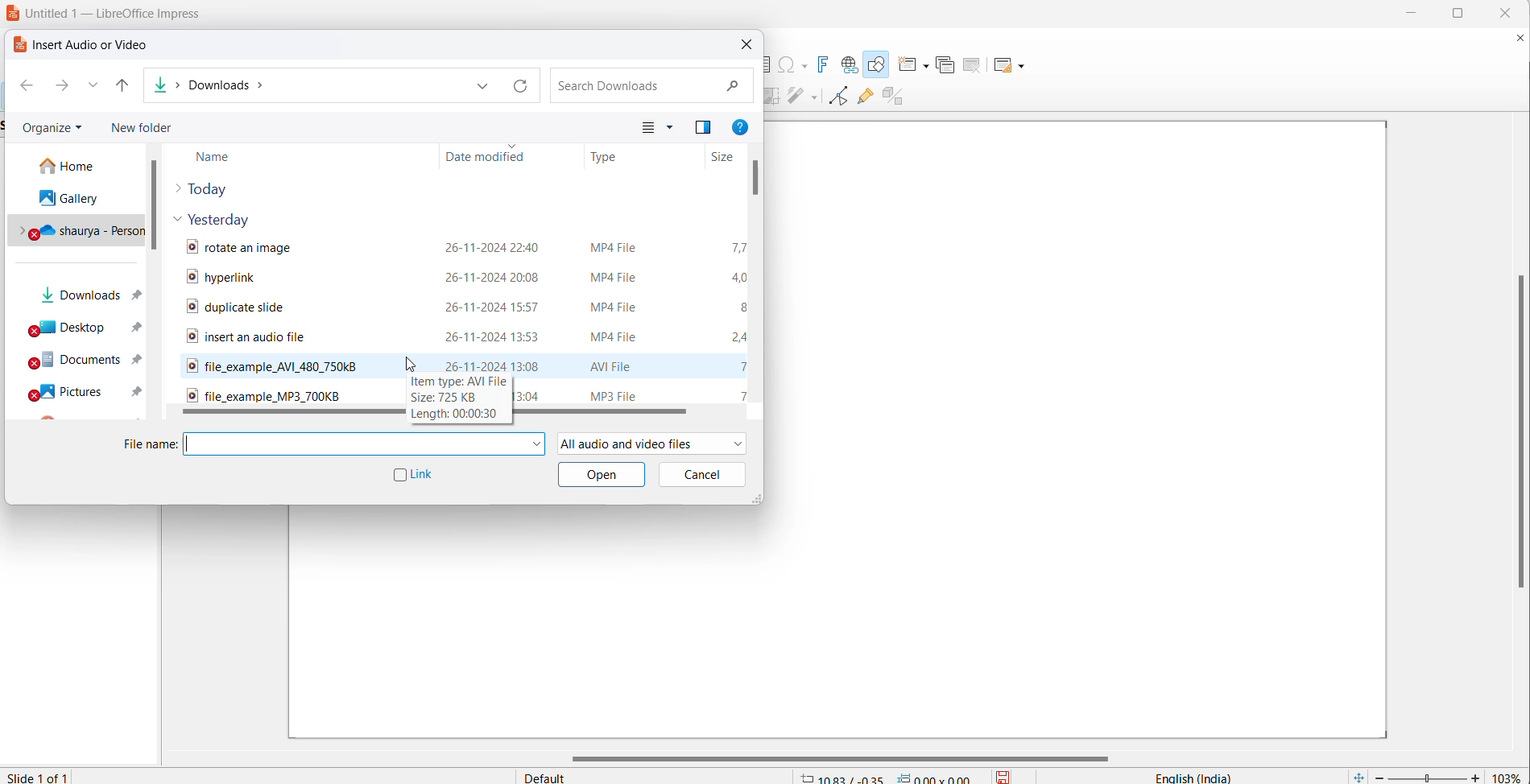 The width and height of the screenshot is (1530, 784). I want to click on change view, so click(646, 130).